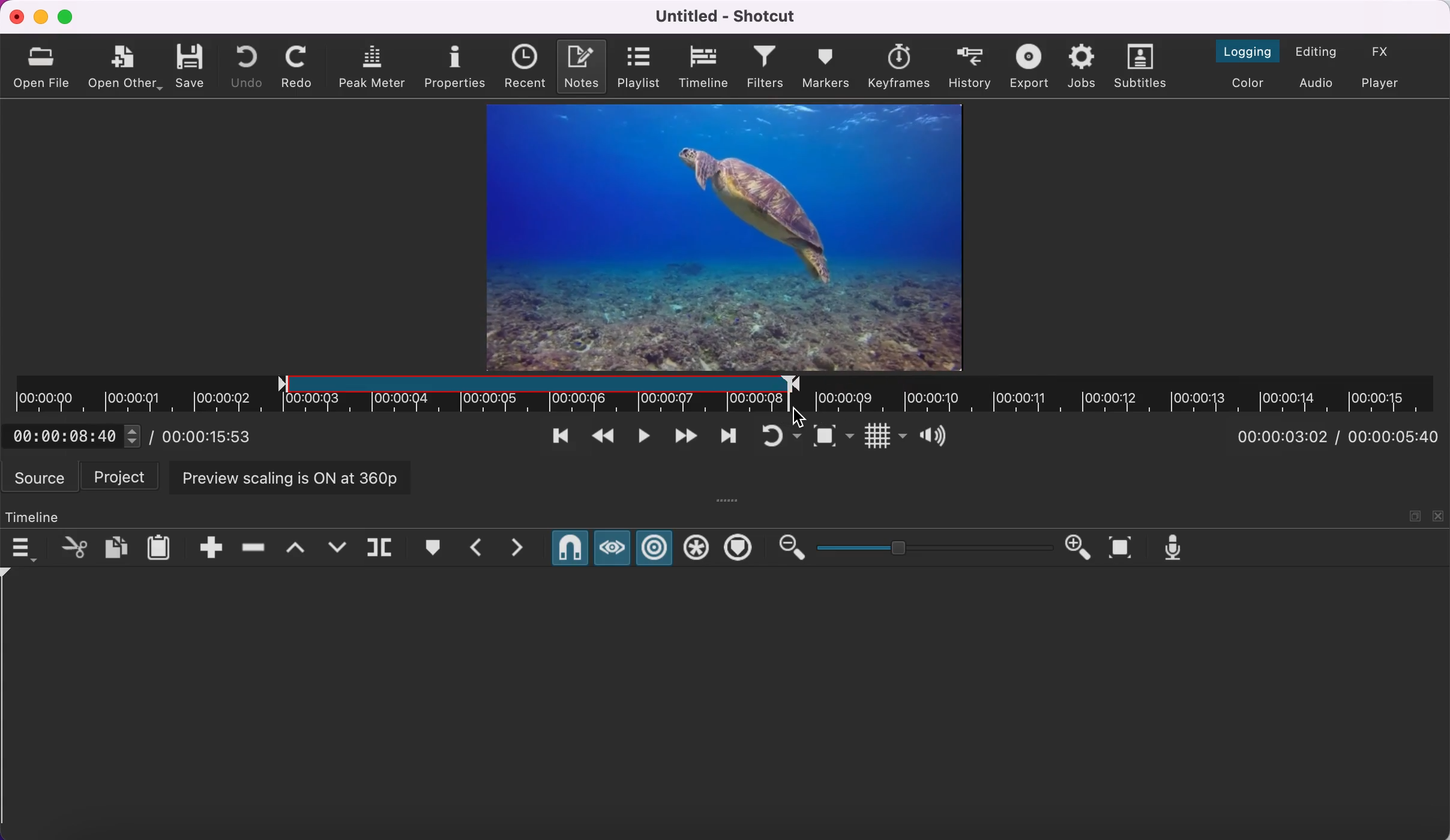 Image resolution: width=1450 pixels, height=840 pixels. Describe the element at coordinates (1027, 67) in the screenshot. I see `export` at that location.